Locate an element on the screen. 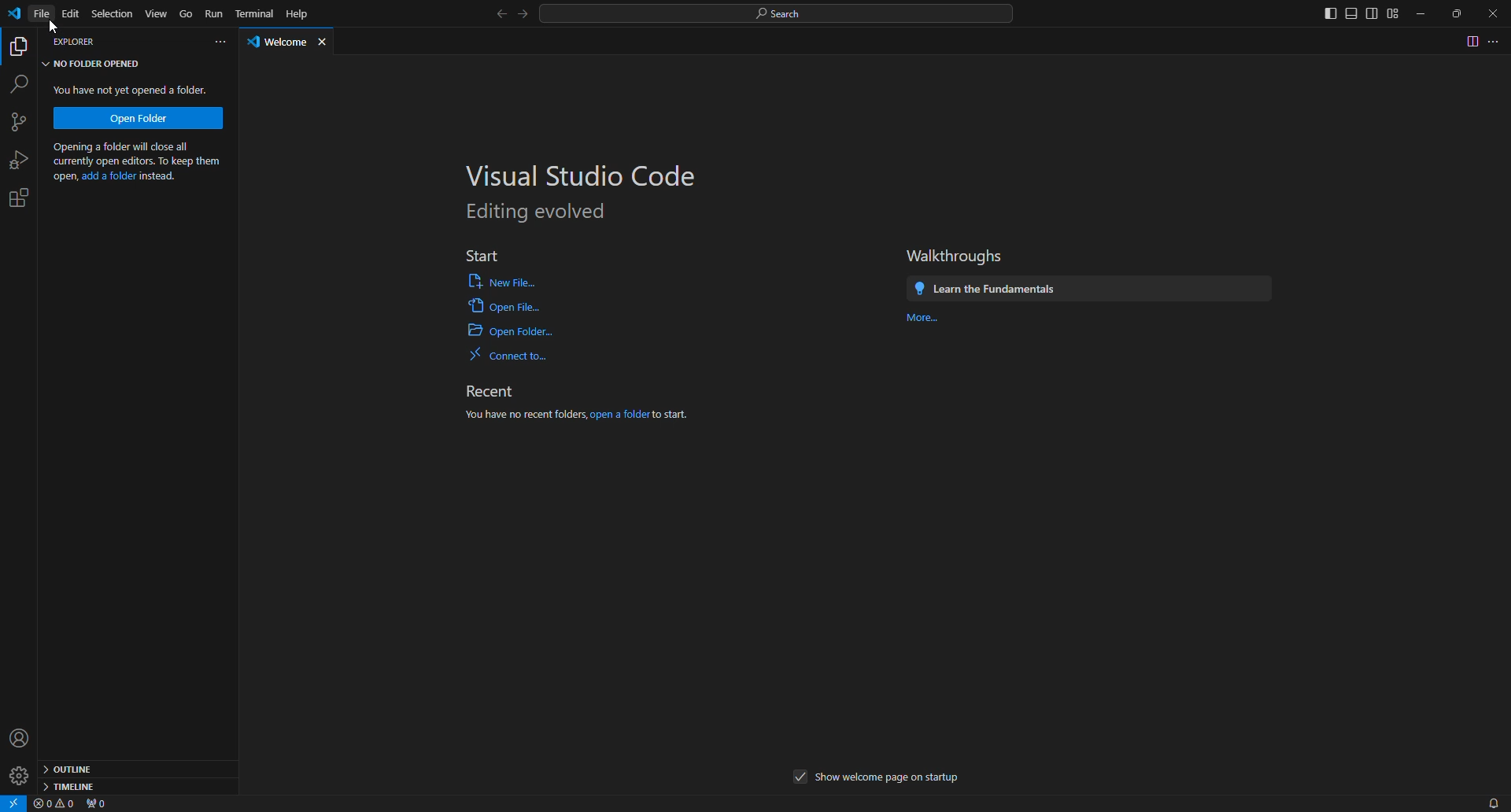 This screenshot has width=1511, height=812. toggle panel is located at coordinates (1350, 14).